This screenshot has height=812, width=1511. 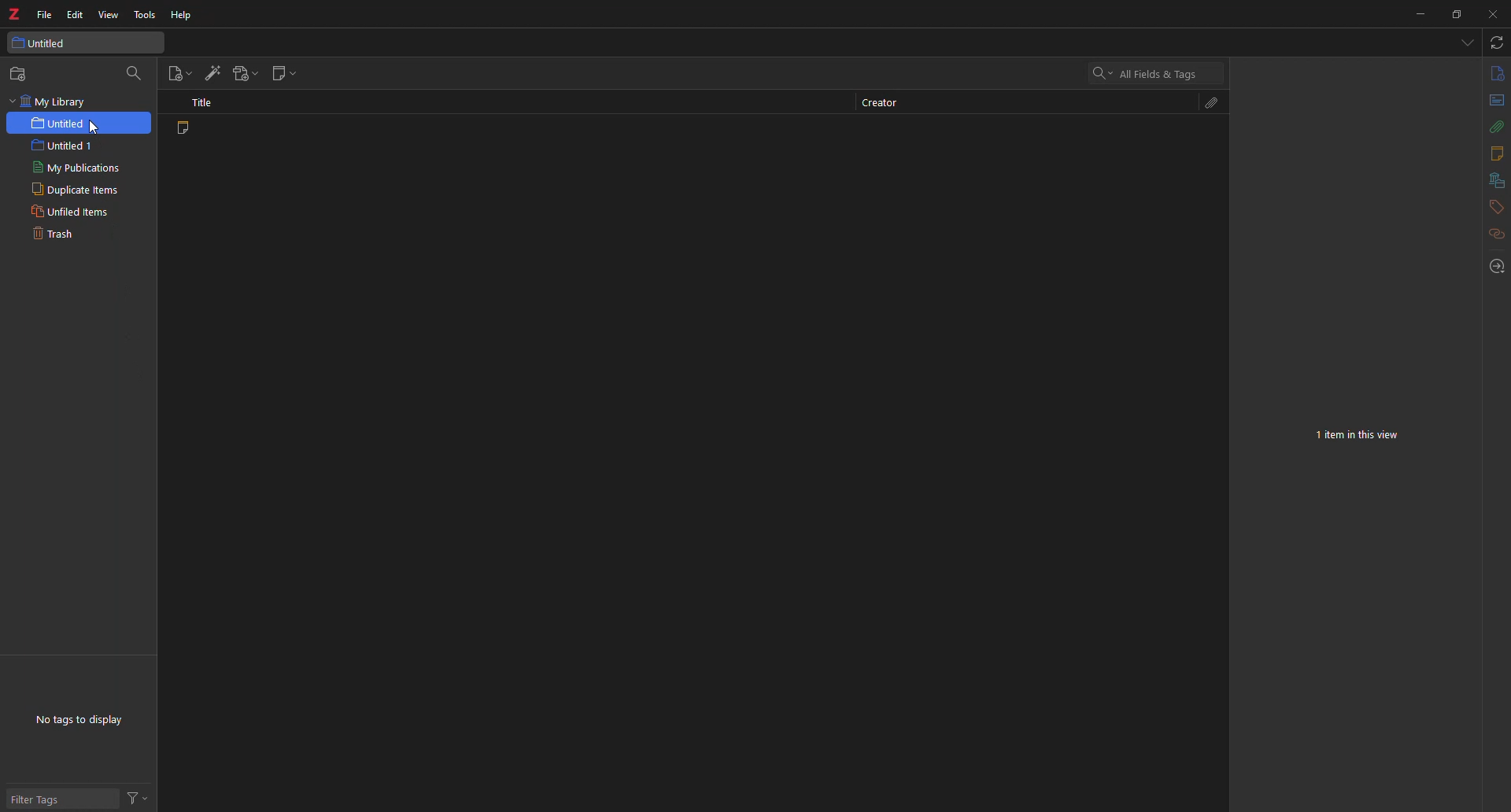 I want to click on edit, so click(x=76, y=16).